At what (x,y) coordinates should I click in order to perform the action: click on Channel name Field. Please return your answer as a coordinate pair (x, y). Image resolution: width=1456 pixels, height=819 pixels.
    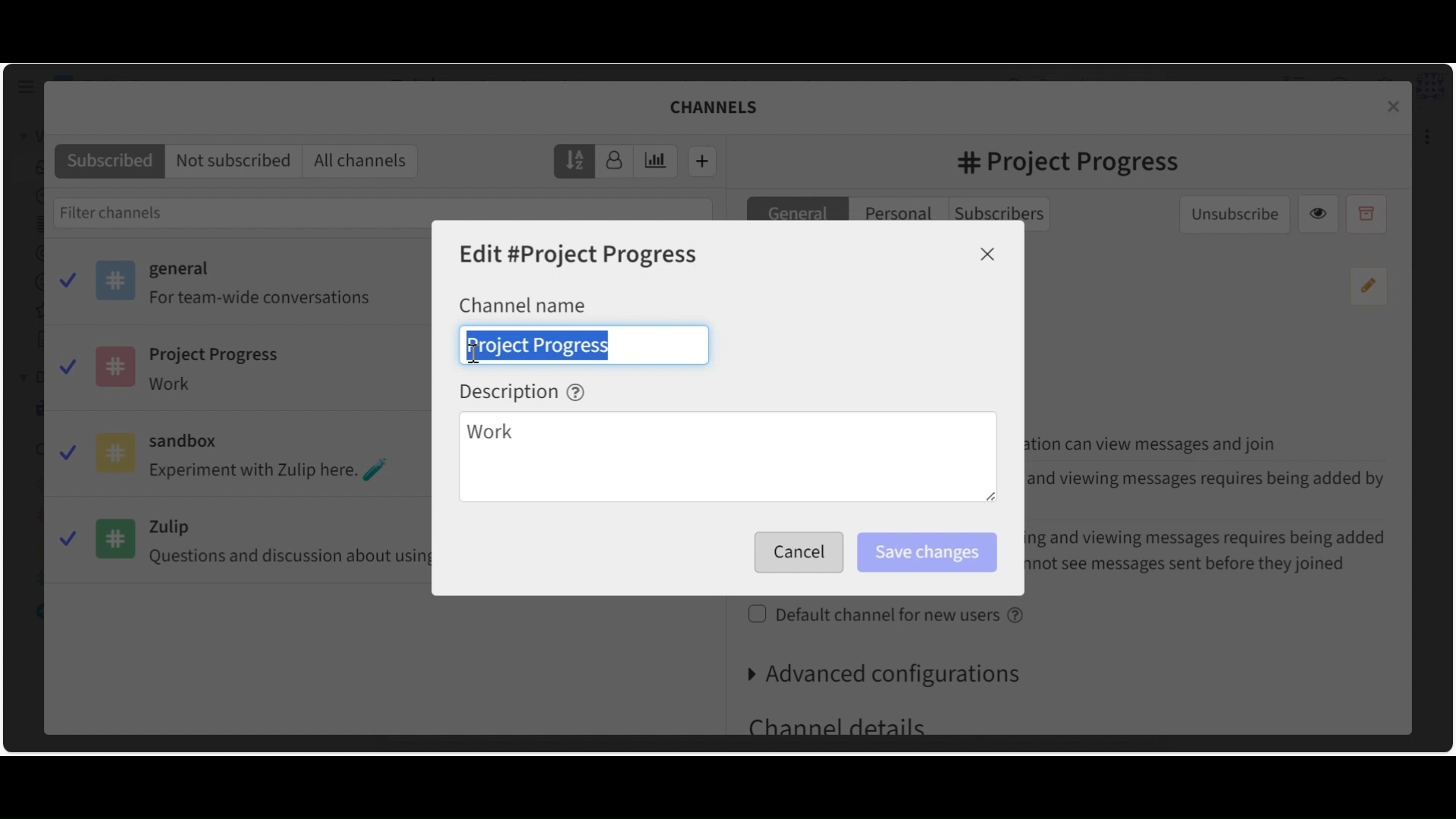
    Looking at the image, I should click on (584, 344).